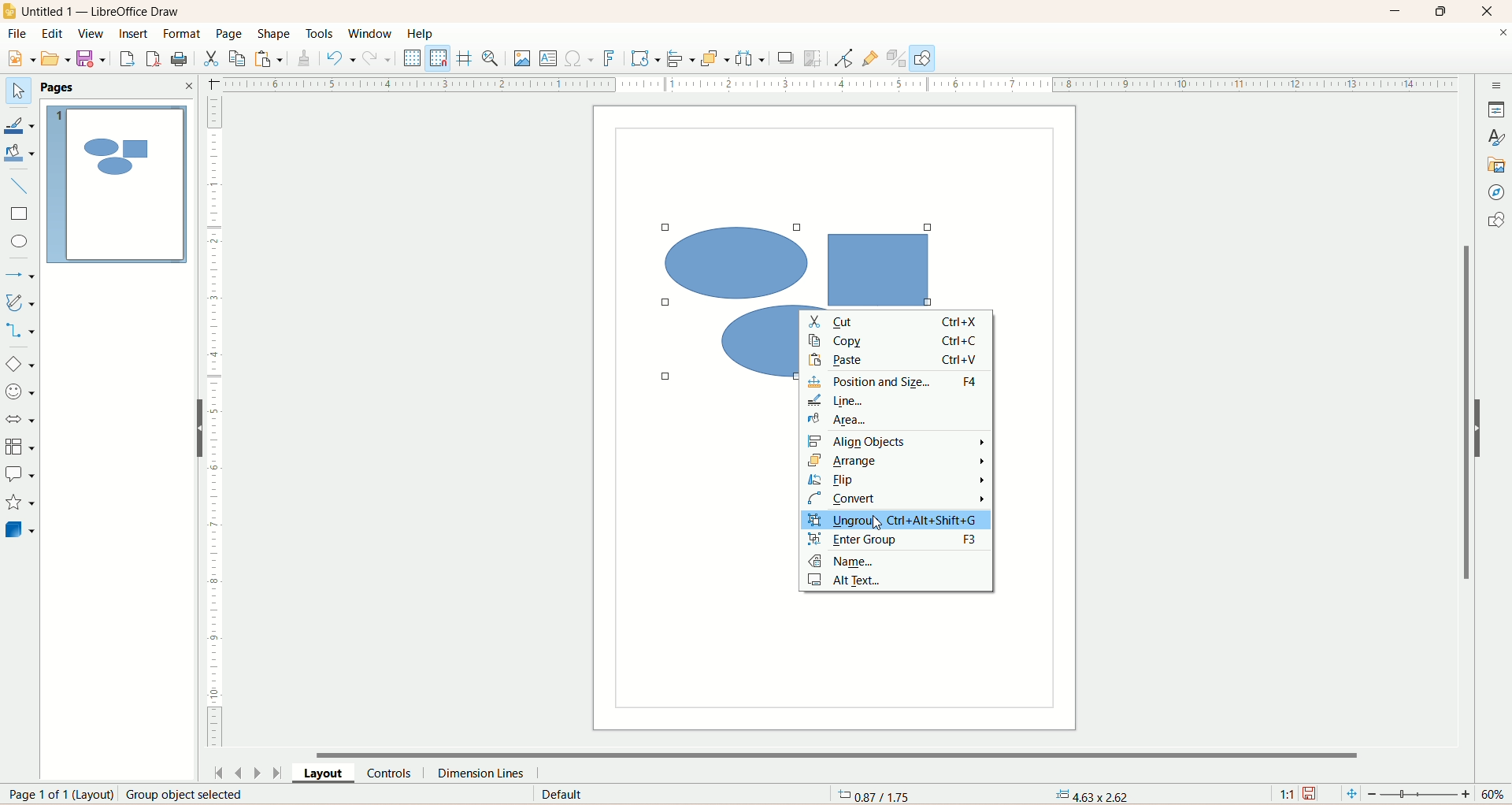  I want to click on cut, so click(895, 321).